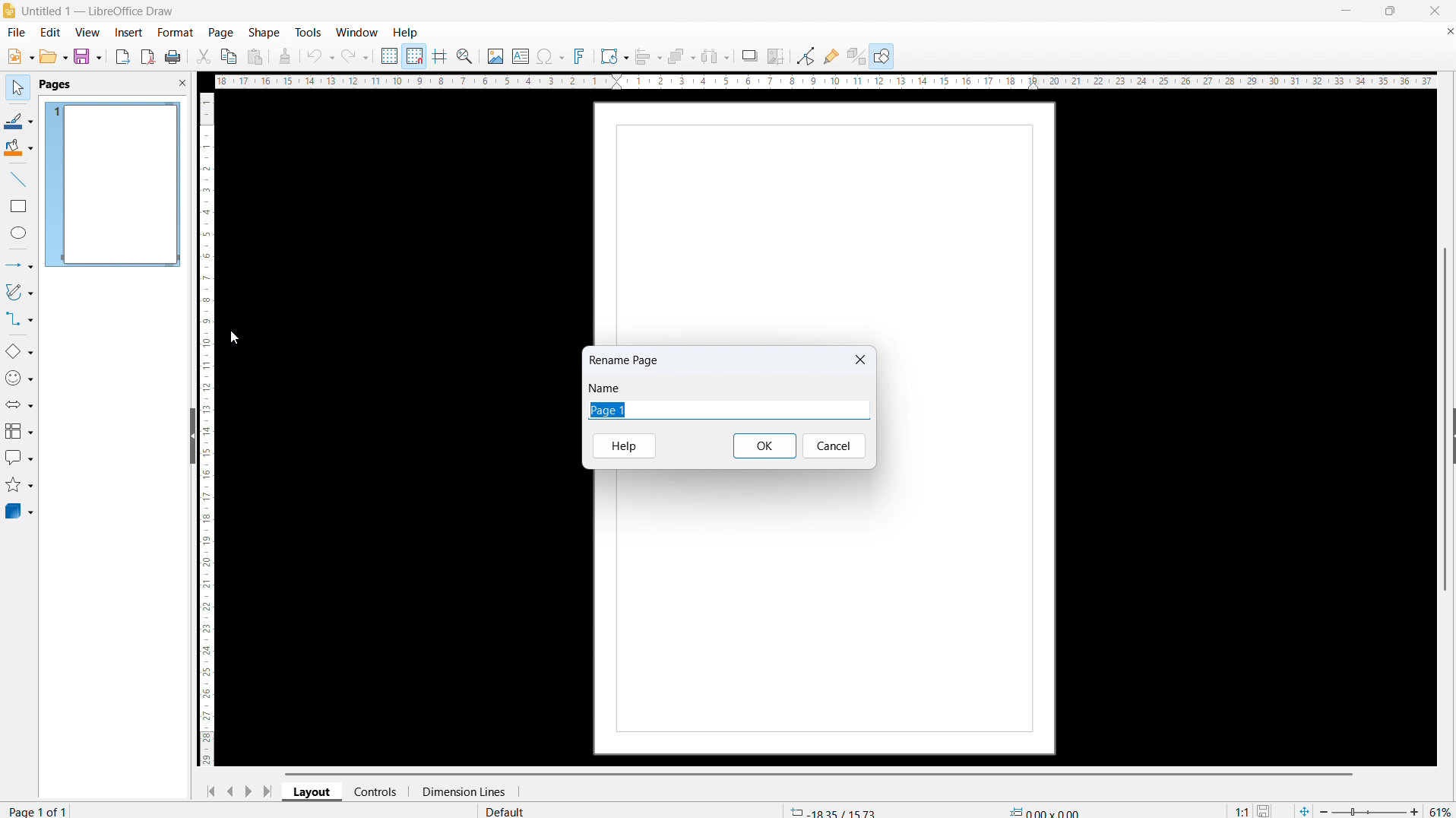 Image resolution: width=1456 pixels, height=818 pixels. Describe the element at coordinates (148, 56) in the screenshot. I see `export as pdf` at that location.